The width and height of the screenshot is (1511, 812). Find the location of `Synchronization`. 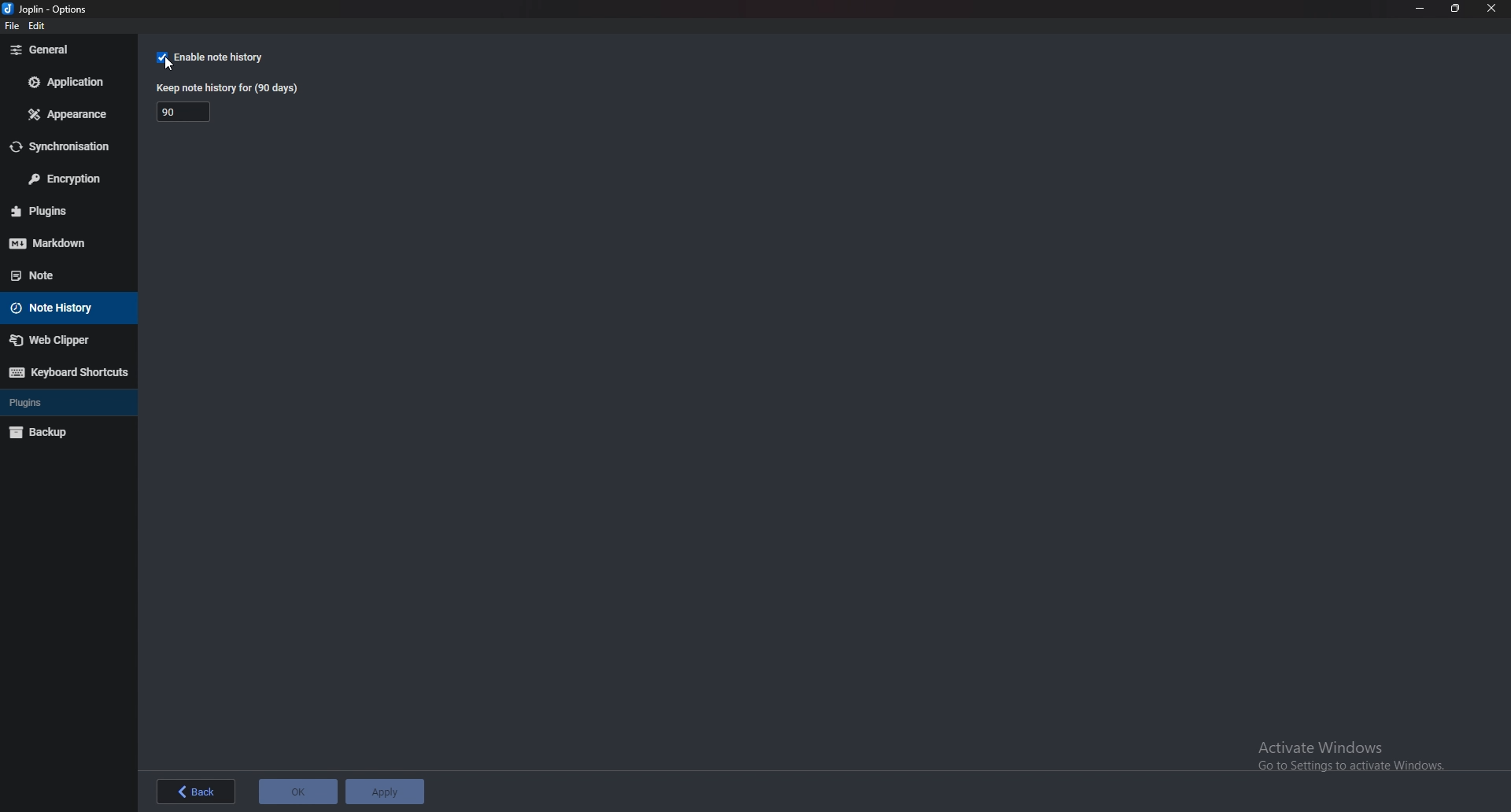

Synchronization is located at coordinates (68, 146).